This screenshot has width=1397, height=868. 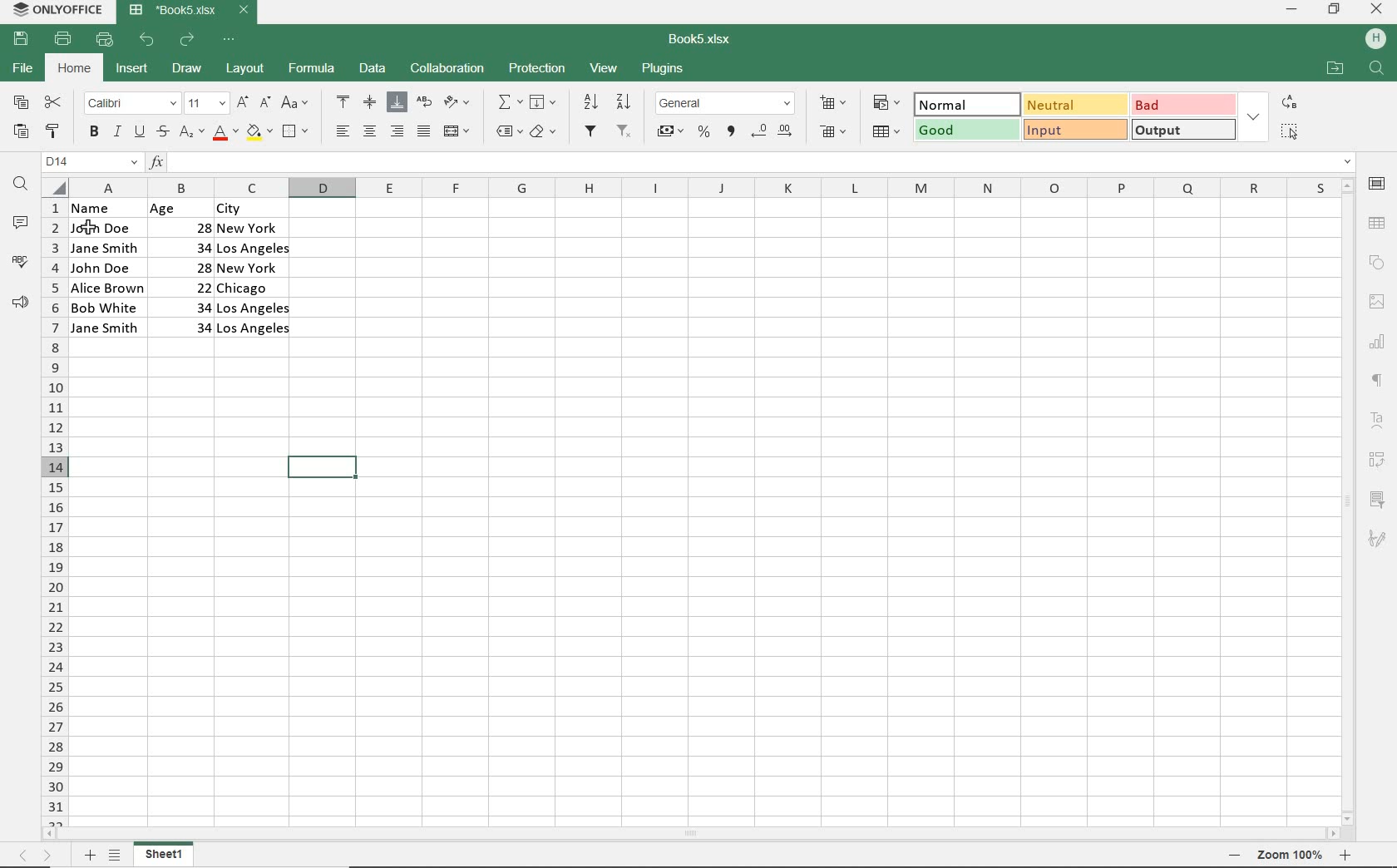 What do you see at coordinates (21, 132) in the screenshot?
I see `PASTE` at bounding box center [21, 132].